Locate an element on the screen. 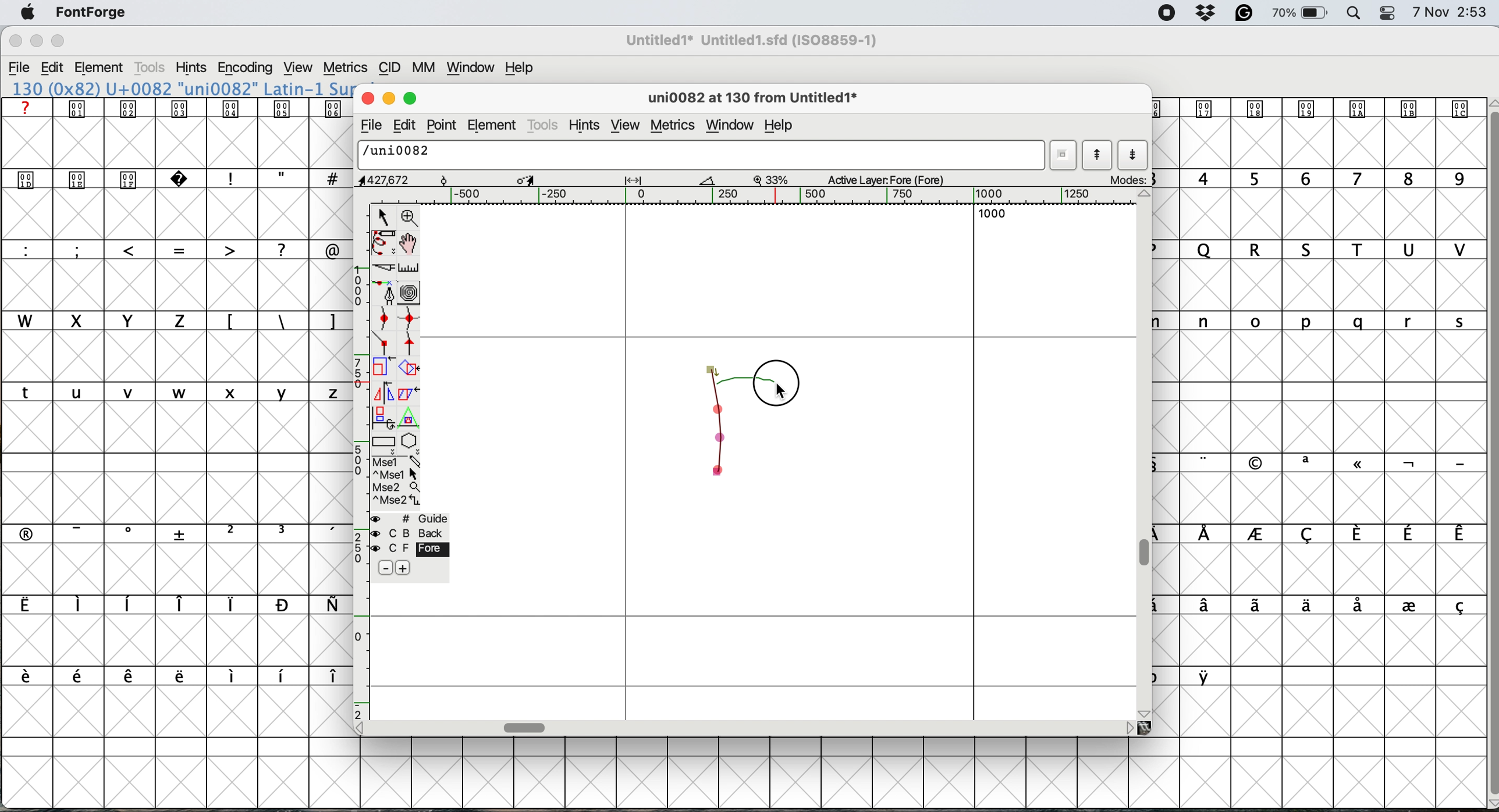  lowercase letters is located at coordinates (171, 393).